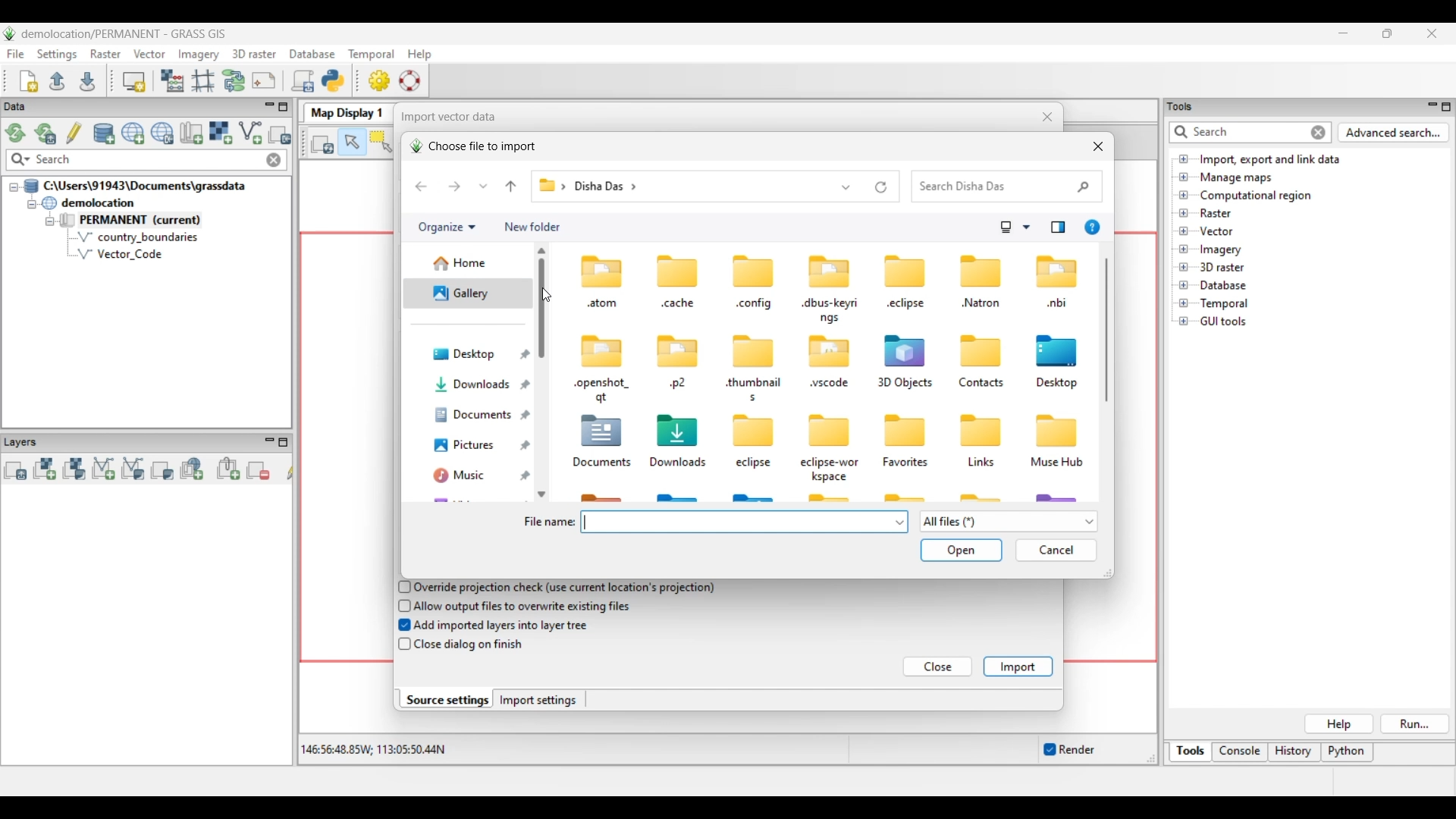 The height and width of the screenshot is (819, 1456). Describe the element at coordinates (1048, 117) in the screenshot. I see `Close window` at that location.